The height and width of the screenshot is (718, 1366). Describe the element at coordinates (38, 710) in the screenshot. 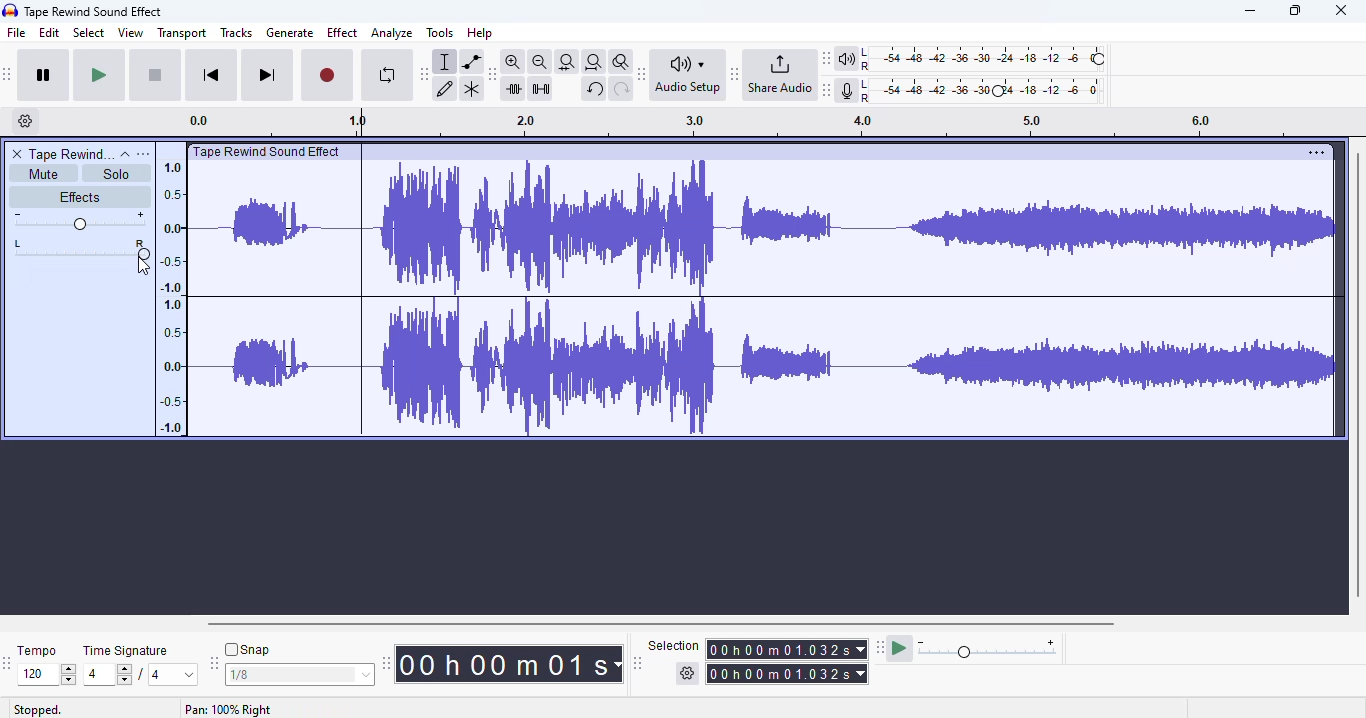

I see `stopped` at that location.